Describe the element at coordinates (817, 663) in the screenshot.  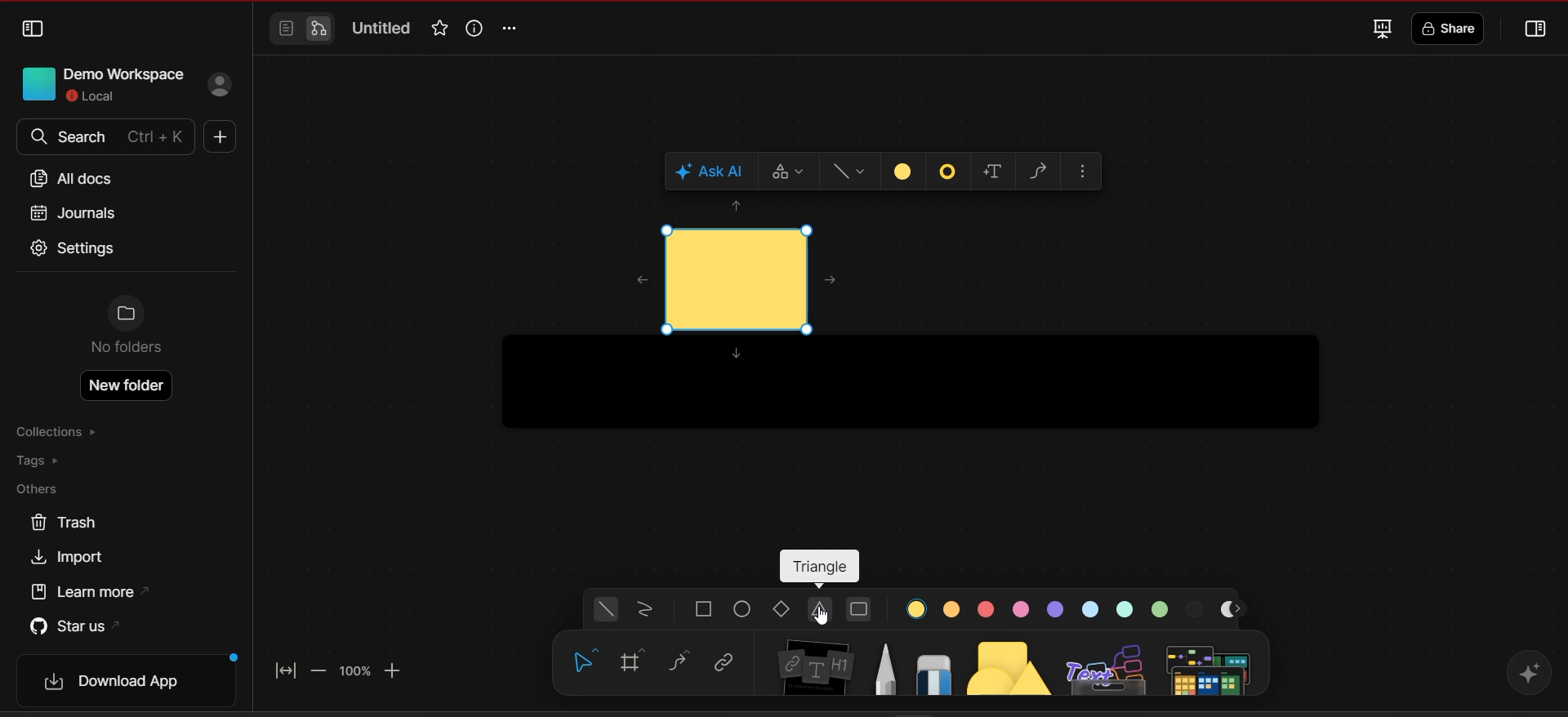
I see `note` at that location.